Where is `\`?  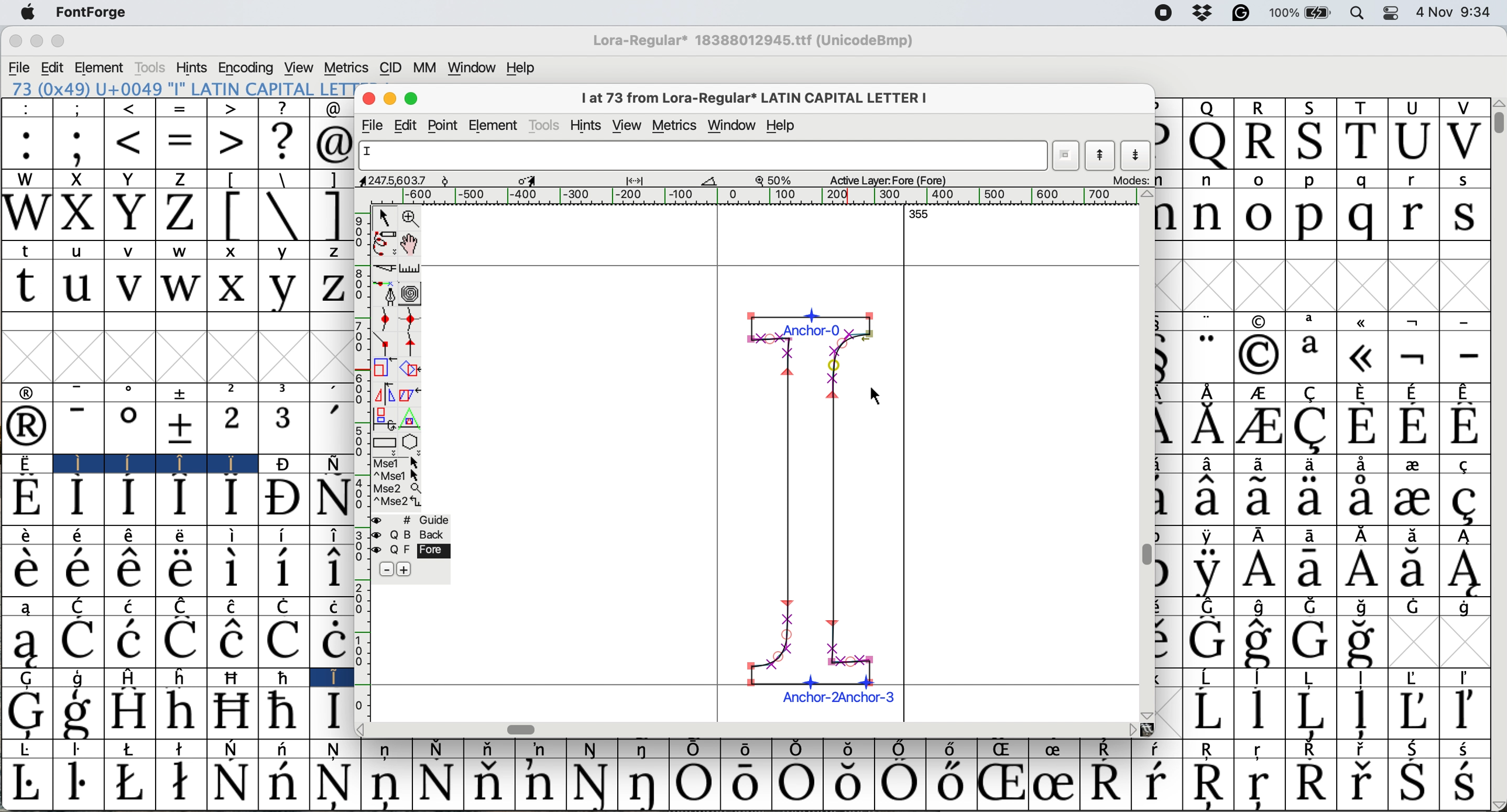
\ is located at coordinates (282, 179).